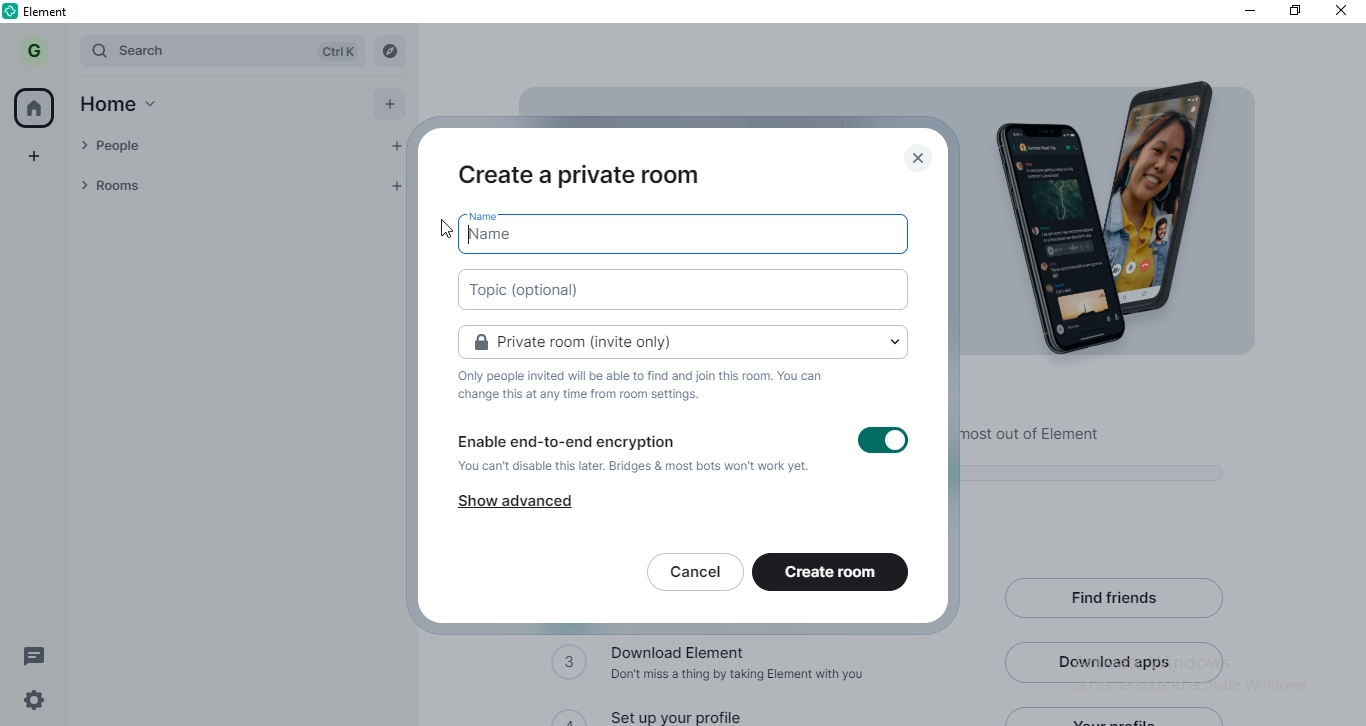 Image resolution: width=1366 pixels, height=726 pixels. What do you see at coordinates (683, 339) in the screenshot?
I see `private room` at bounding box center [683, 339].